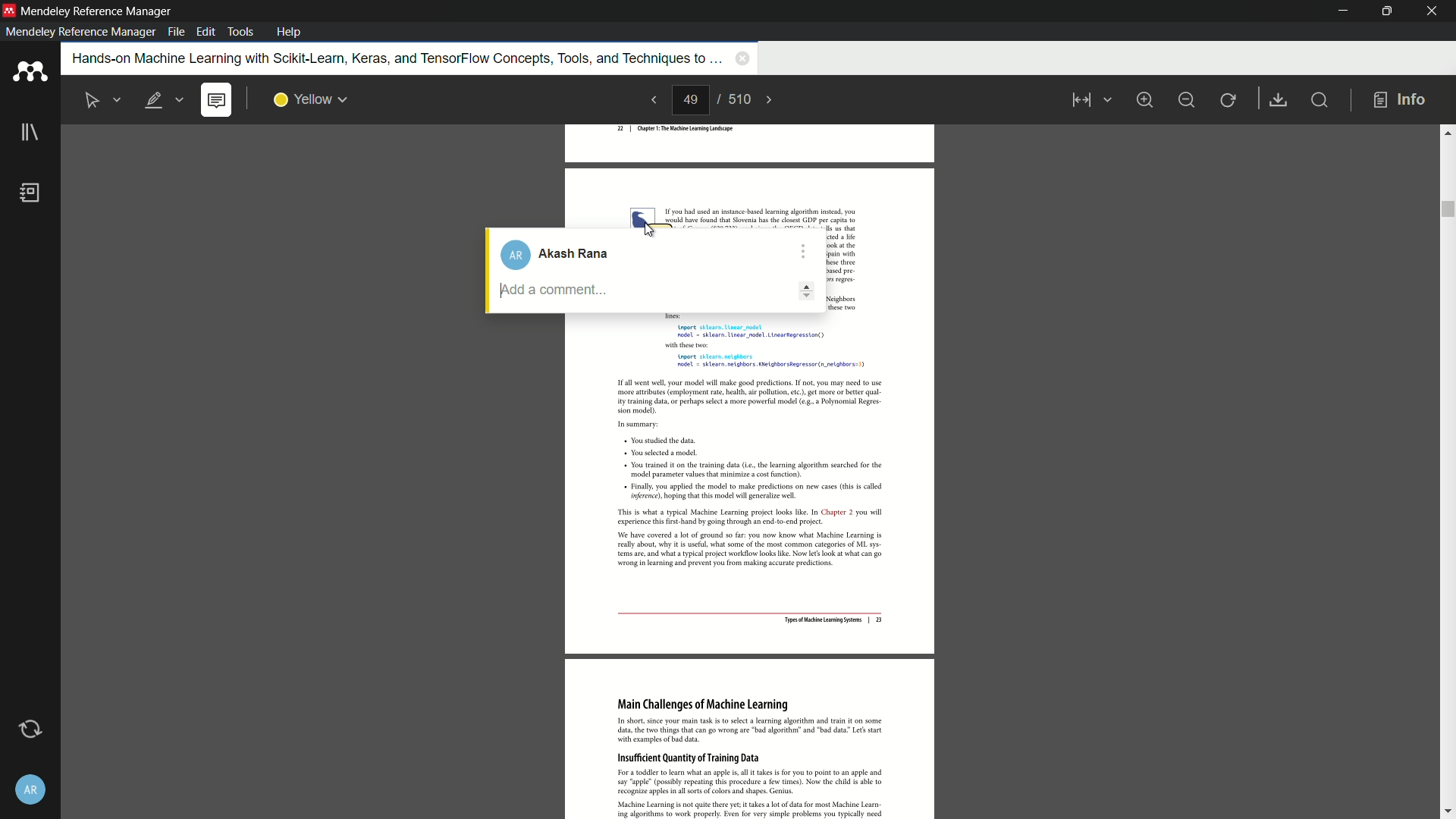 This screenshot has width=1456, height=819. I want to click on more options, so click(805, 247).